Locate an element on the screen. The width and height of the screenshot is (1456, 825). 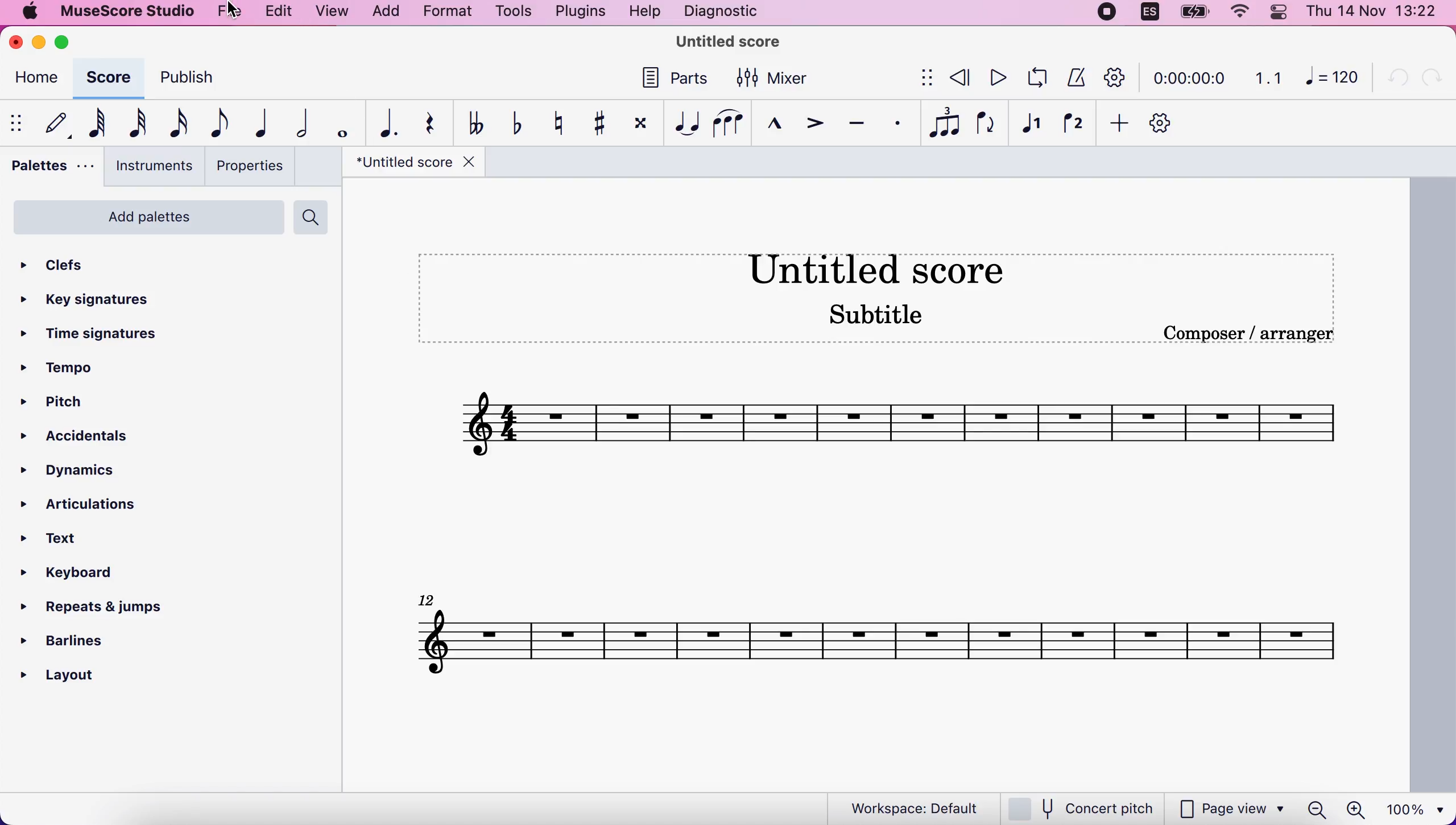
musescore studio is located at coordinates (129, 14).